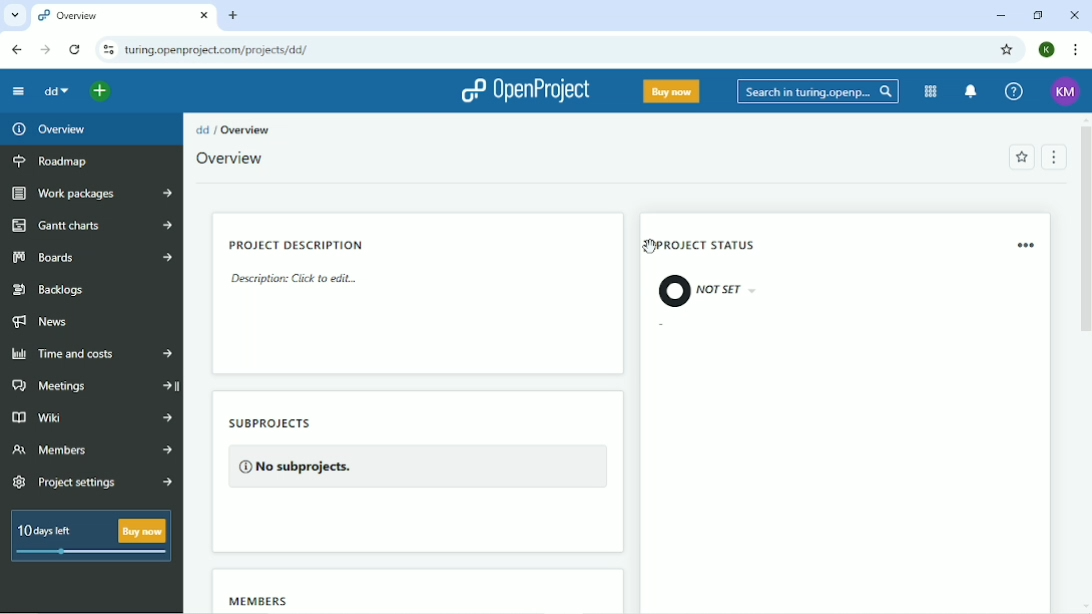 This screenshot has height=614, width=1092. What do you see at coordinates (218, 50) in the screenshot?
I see `Site` at bounding box center [218, 50].